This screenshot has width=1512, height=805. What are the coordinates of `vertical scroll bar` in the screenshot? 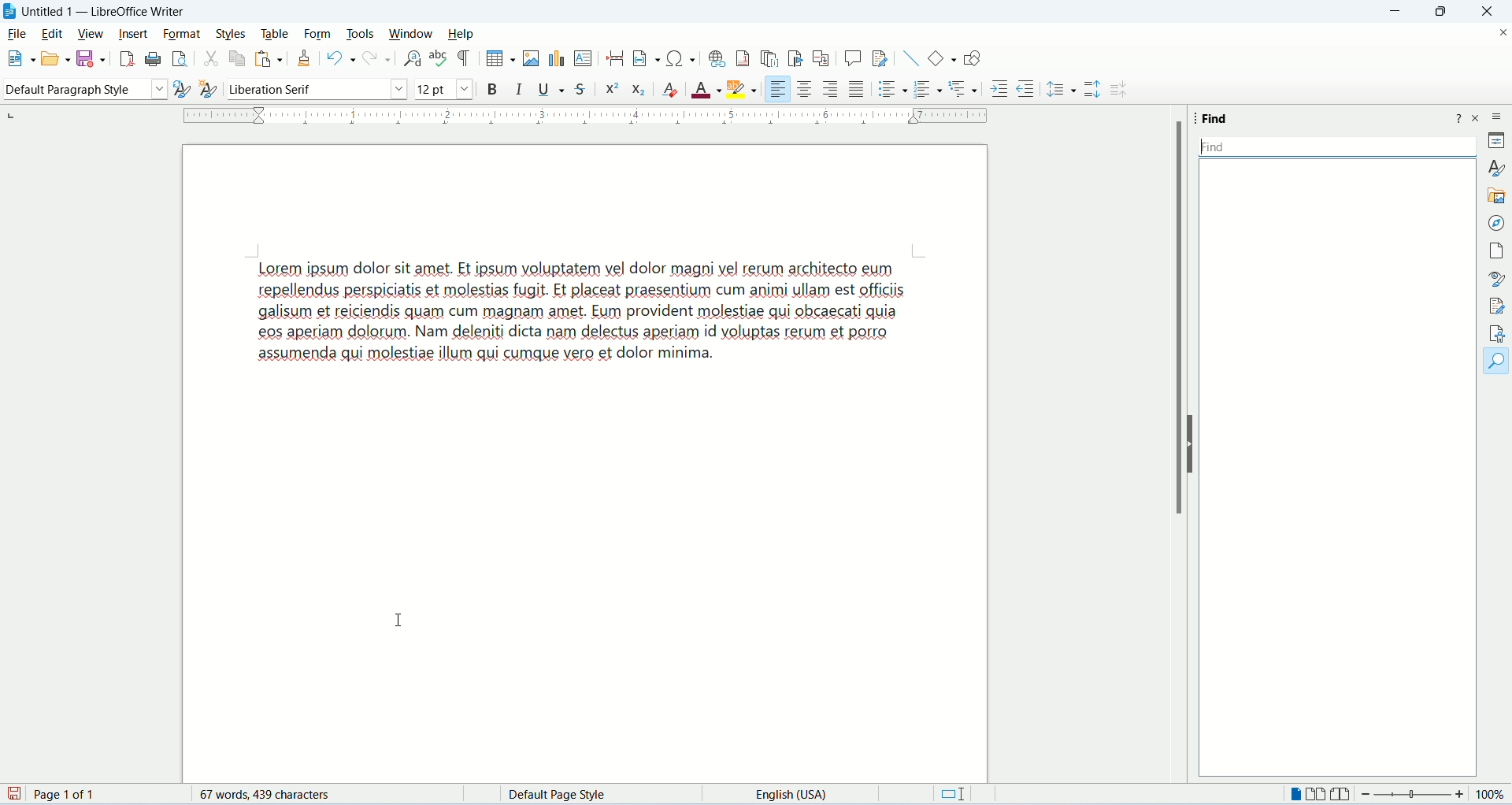 It's located at (1467, 473).